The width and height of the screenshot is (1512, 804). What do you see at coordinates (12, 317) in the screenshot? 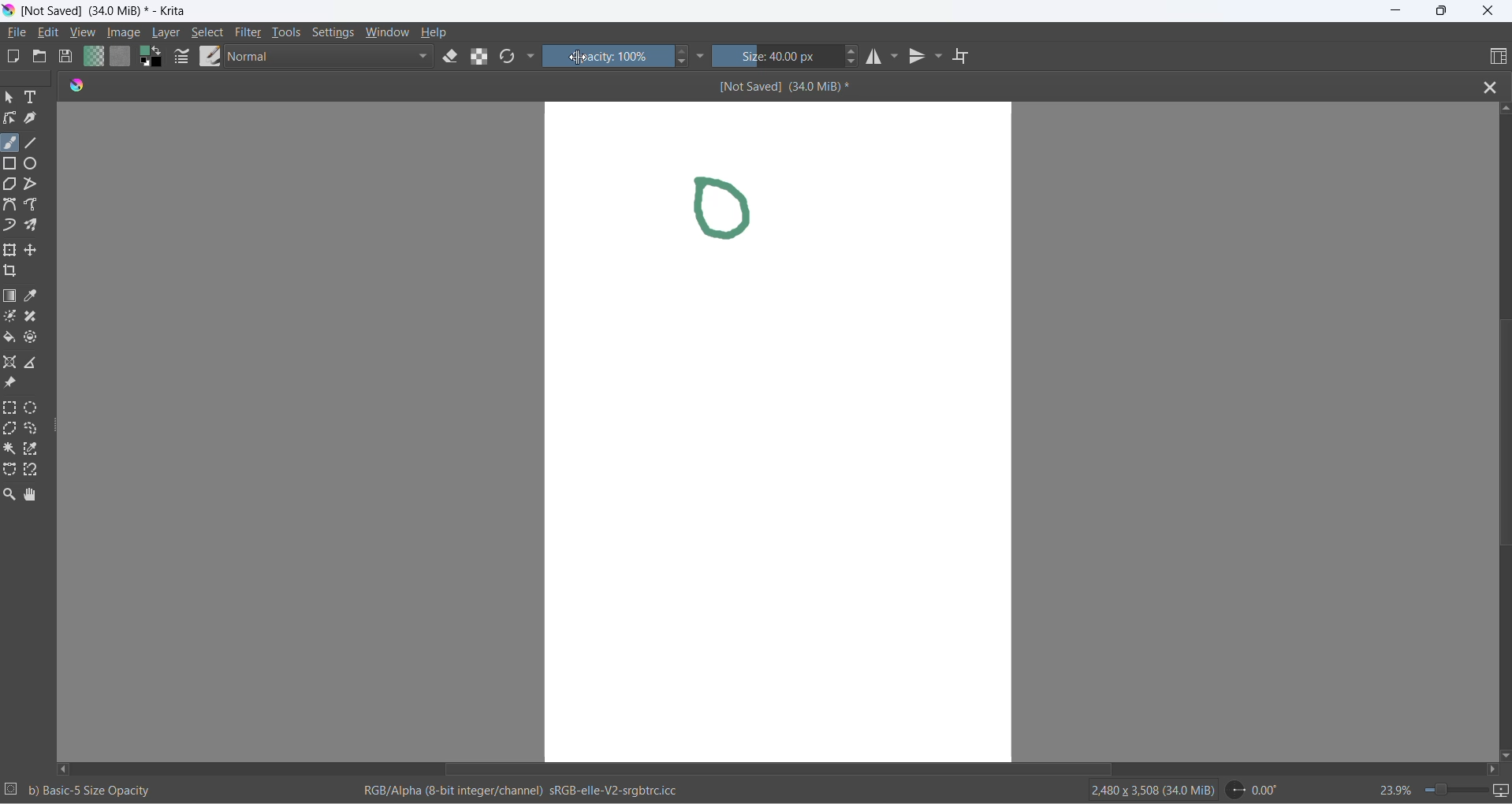
I see `colorize mask tool` at bounding box center [12, 317].